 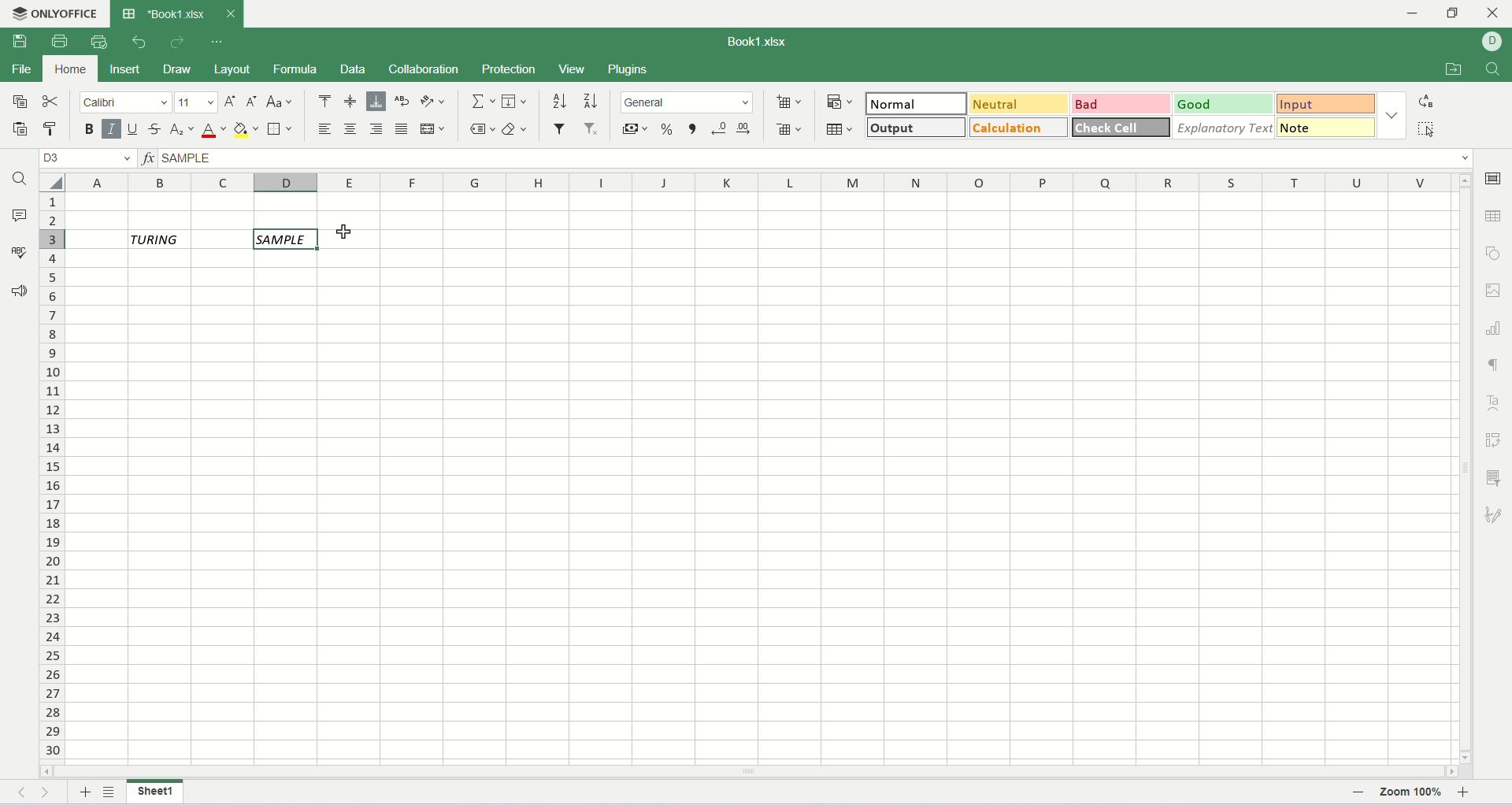 I want to click on select all, so click(x=1425, y=128).